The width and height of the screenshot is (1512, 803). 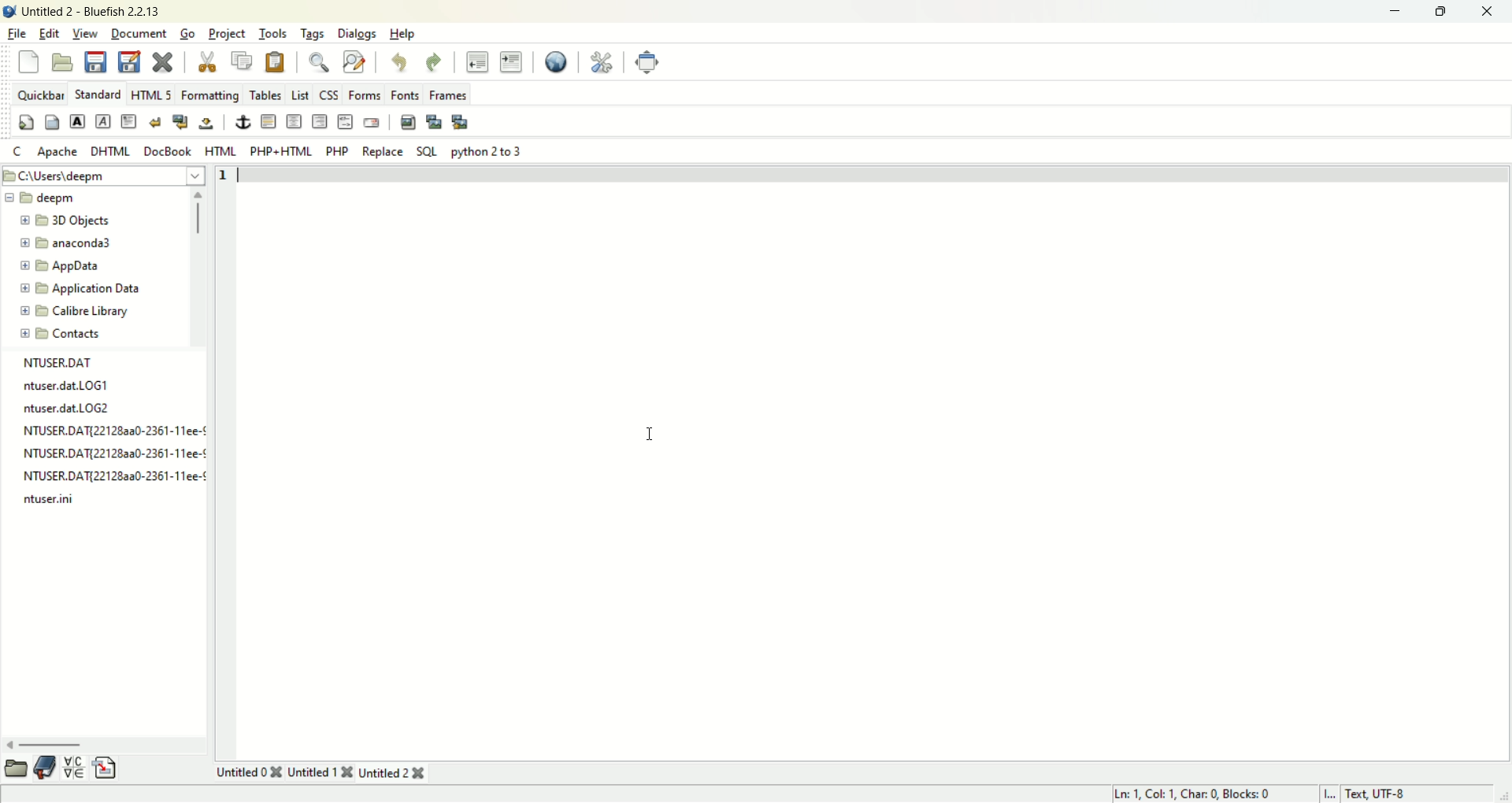 I want to click on documentation, so click(x=46, y=766).